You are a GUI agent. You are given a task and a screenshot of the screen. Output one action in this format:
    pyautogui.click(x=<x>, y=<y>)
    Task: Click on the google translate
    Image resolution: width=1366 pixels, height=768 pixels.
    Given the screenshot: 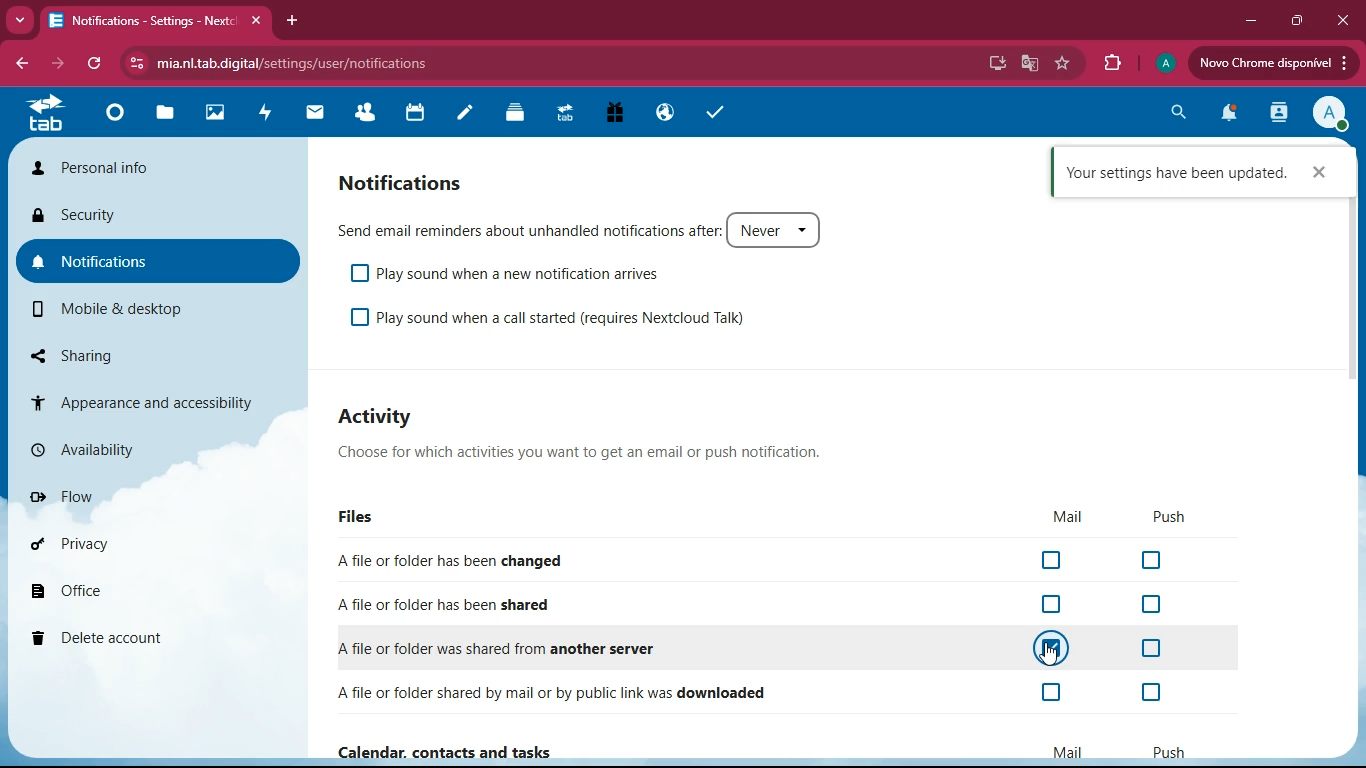 What is the action you would take?
    pyautogui.click(x=1028, y=61)
    